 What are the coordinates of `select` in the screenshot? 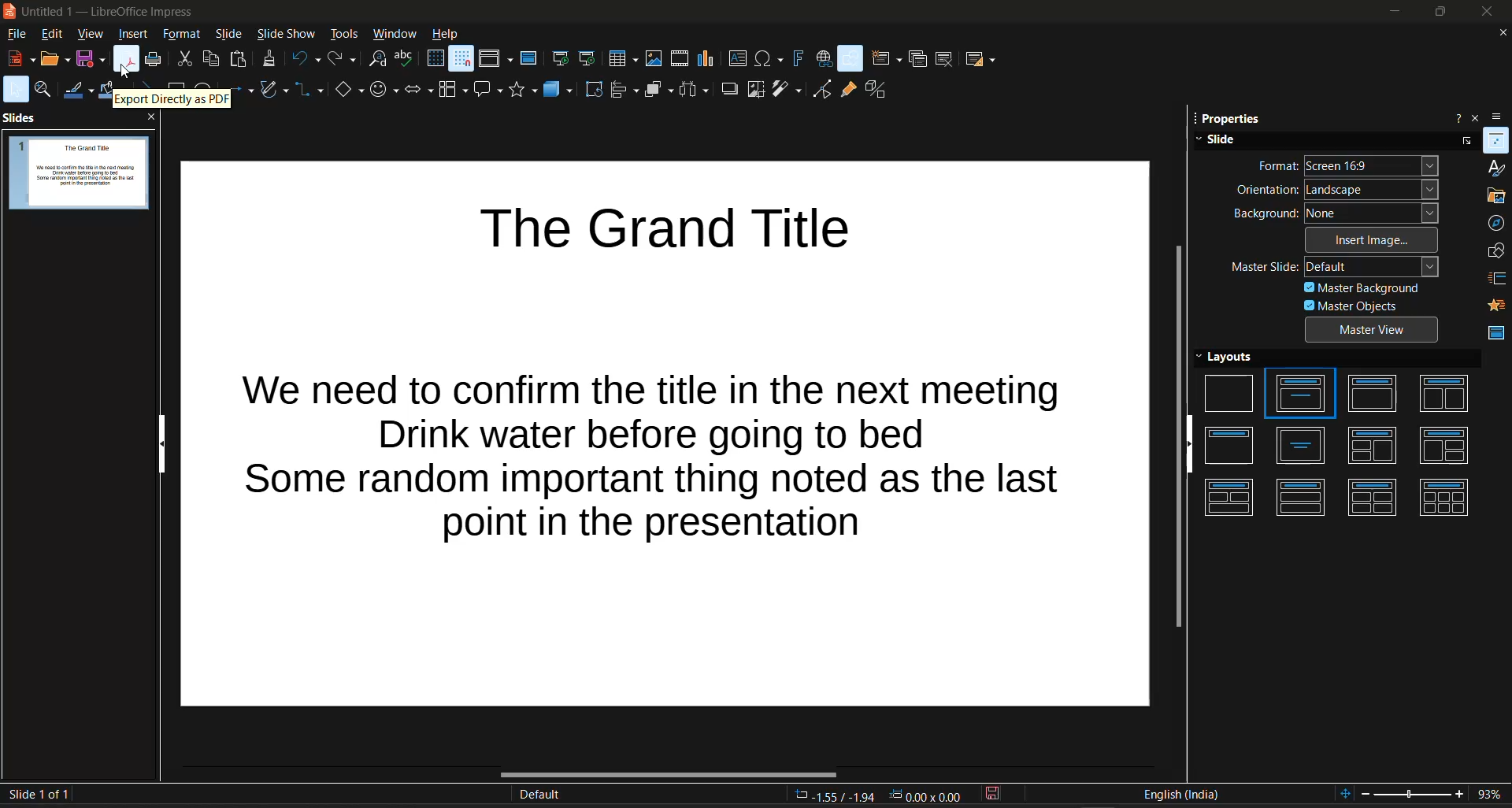 It's located at (18, 89).